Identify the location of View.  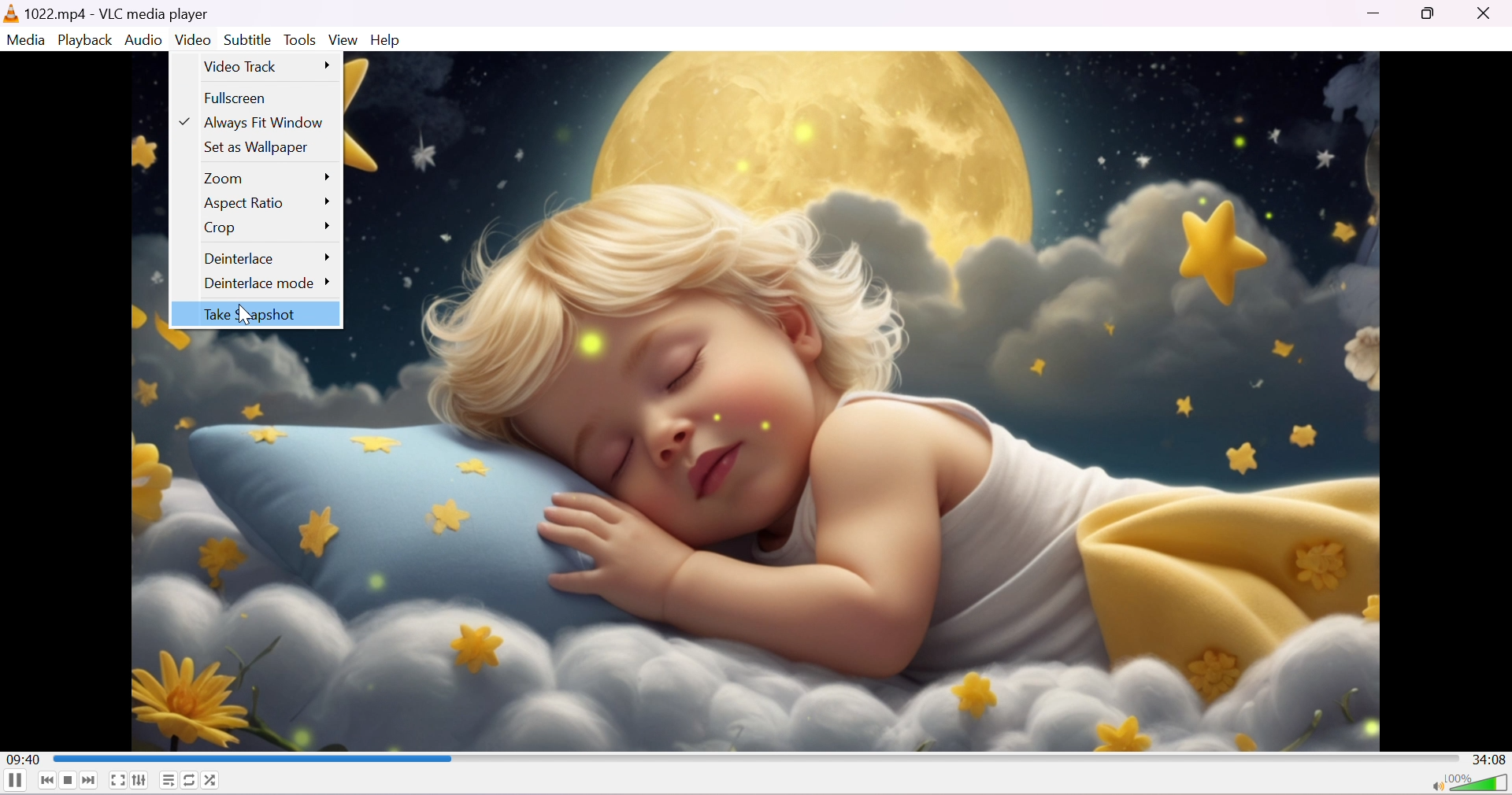
(340, 39).